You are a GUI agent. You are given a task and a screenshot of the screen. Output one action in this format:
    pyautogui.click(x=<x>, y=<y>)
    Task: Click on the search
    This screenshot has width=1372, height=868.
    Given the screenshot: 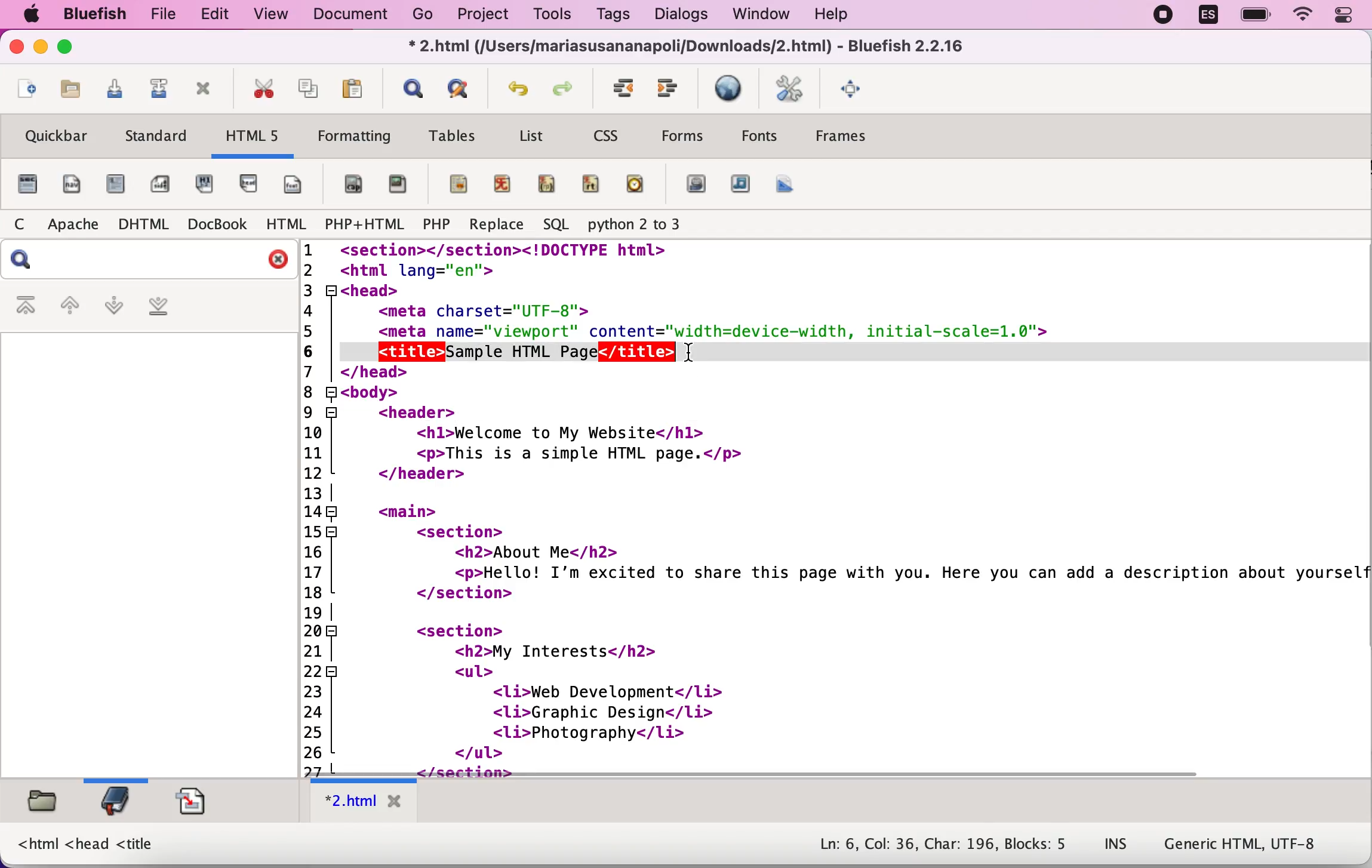 What is the action you would take?
    pyautogui.click(x=147, y=260)
    